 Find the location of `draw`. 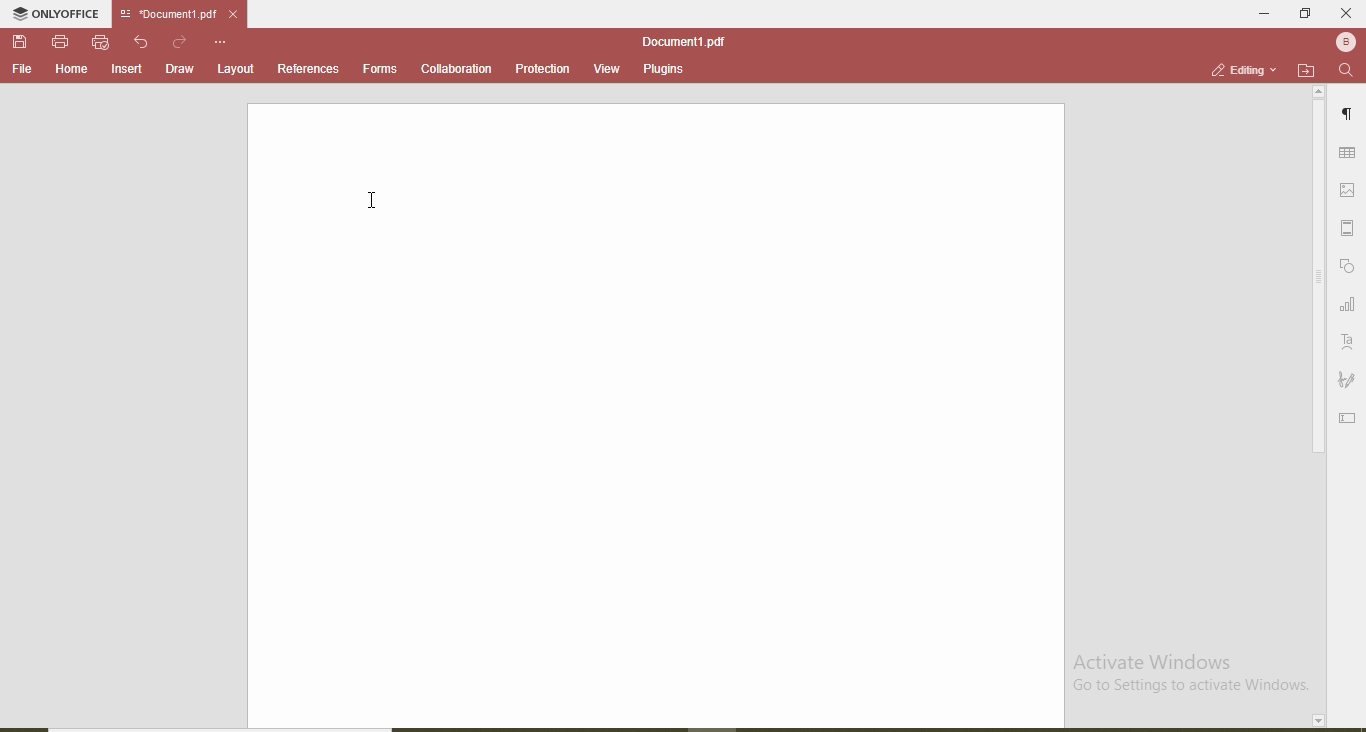

draw is located at coordinates (178, 68).